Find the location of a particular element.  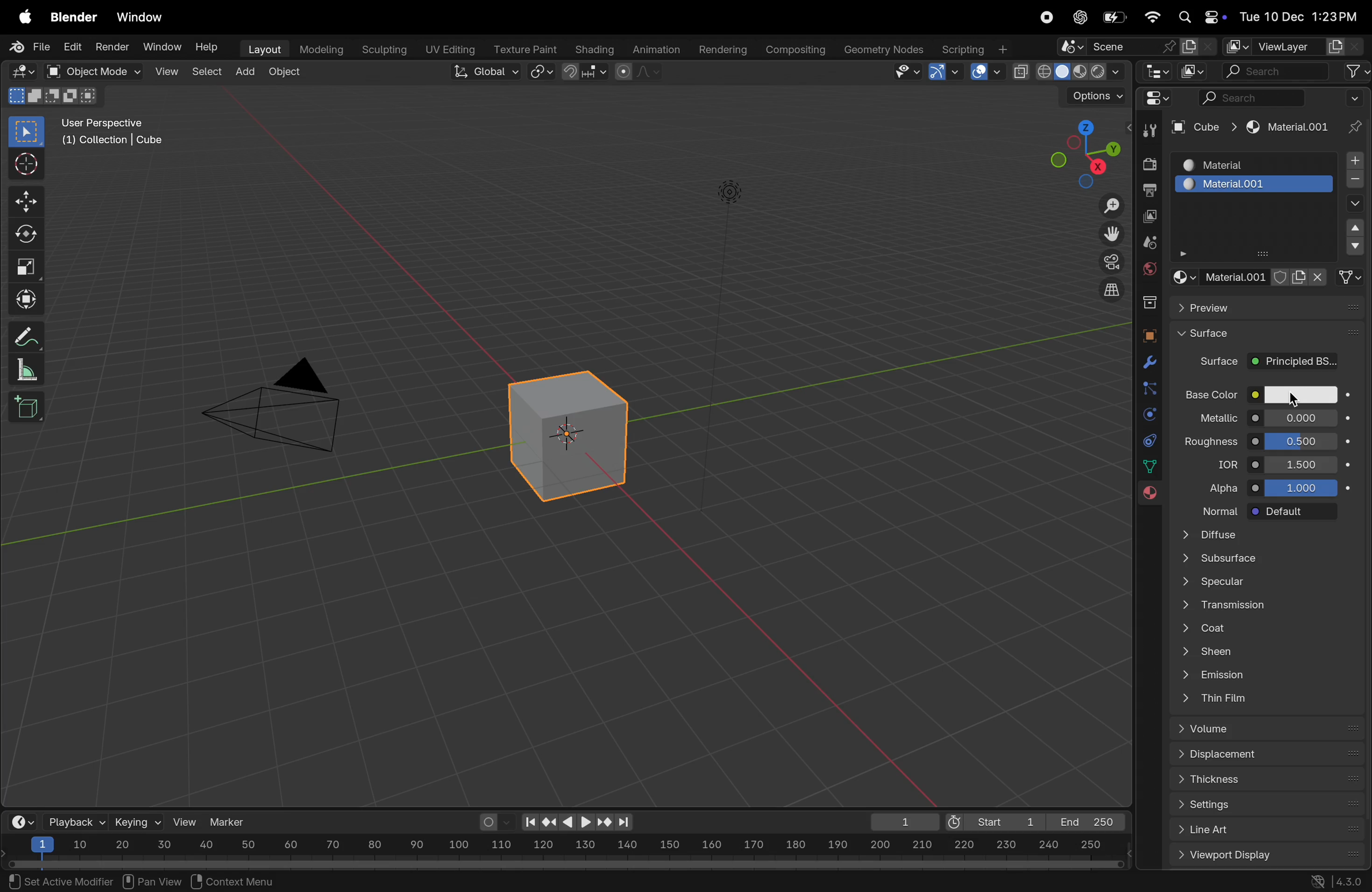

subtarct material is located at coordinates (1352, 182).